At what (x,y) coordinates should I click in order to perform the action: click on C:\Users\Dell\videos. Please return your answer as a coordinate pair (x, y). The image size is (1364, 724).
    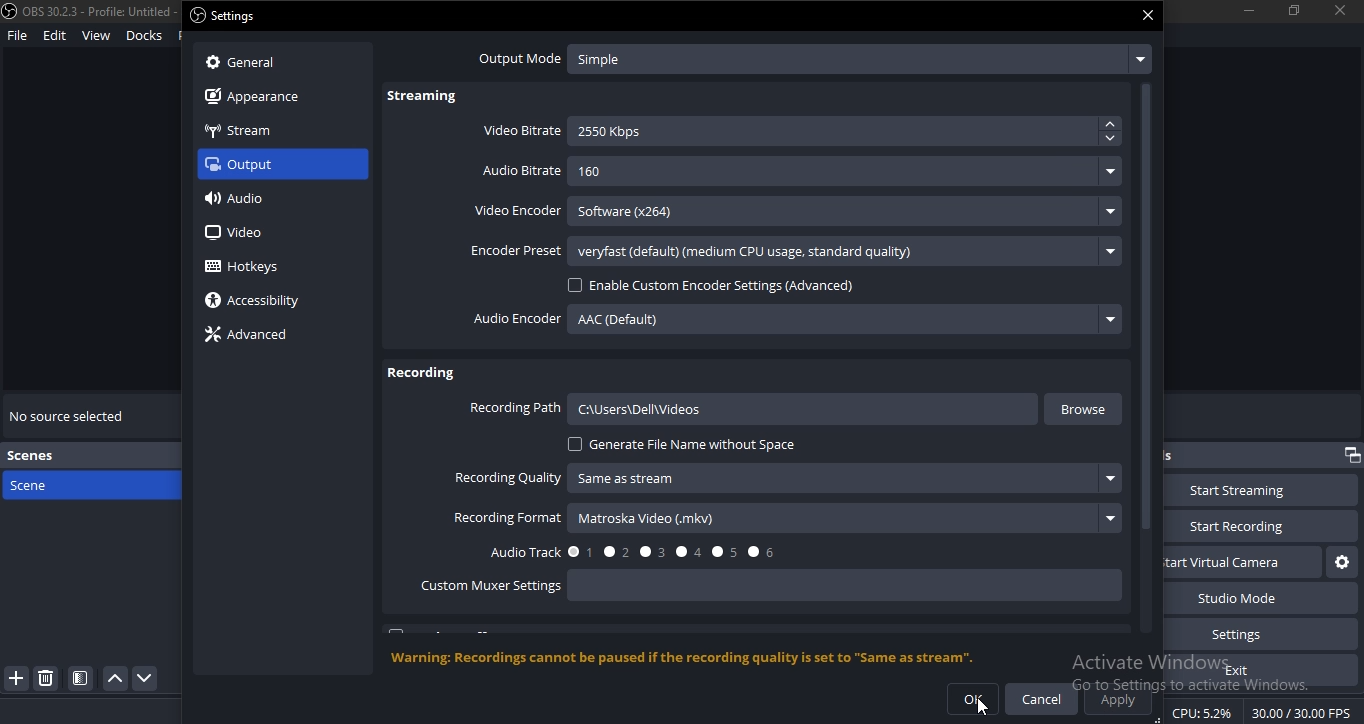
    Looking at the image, I should click on (804, 408).